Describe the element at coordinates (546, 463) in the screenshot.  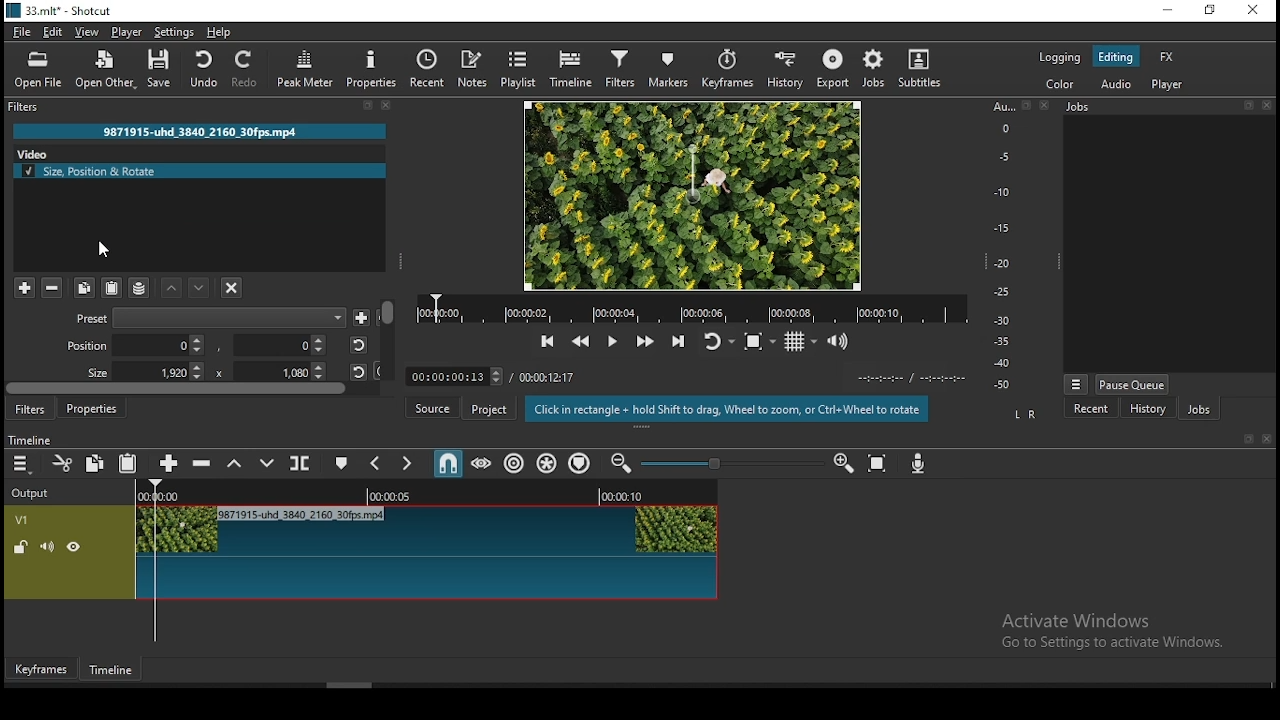
I see `ripple all tracks` at that location.